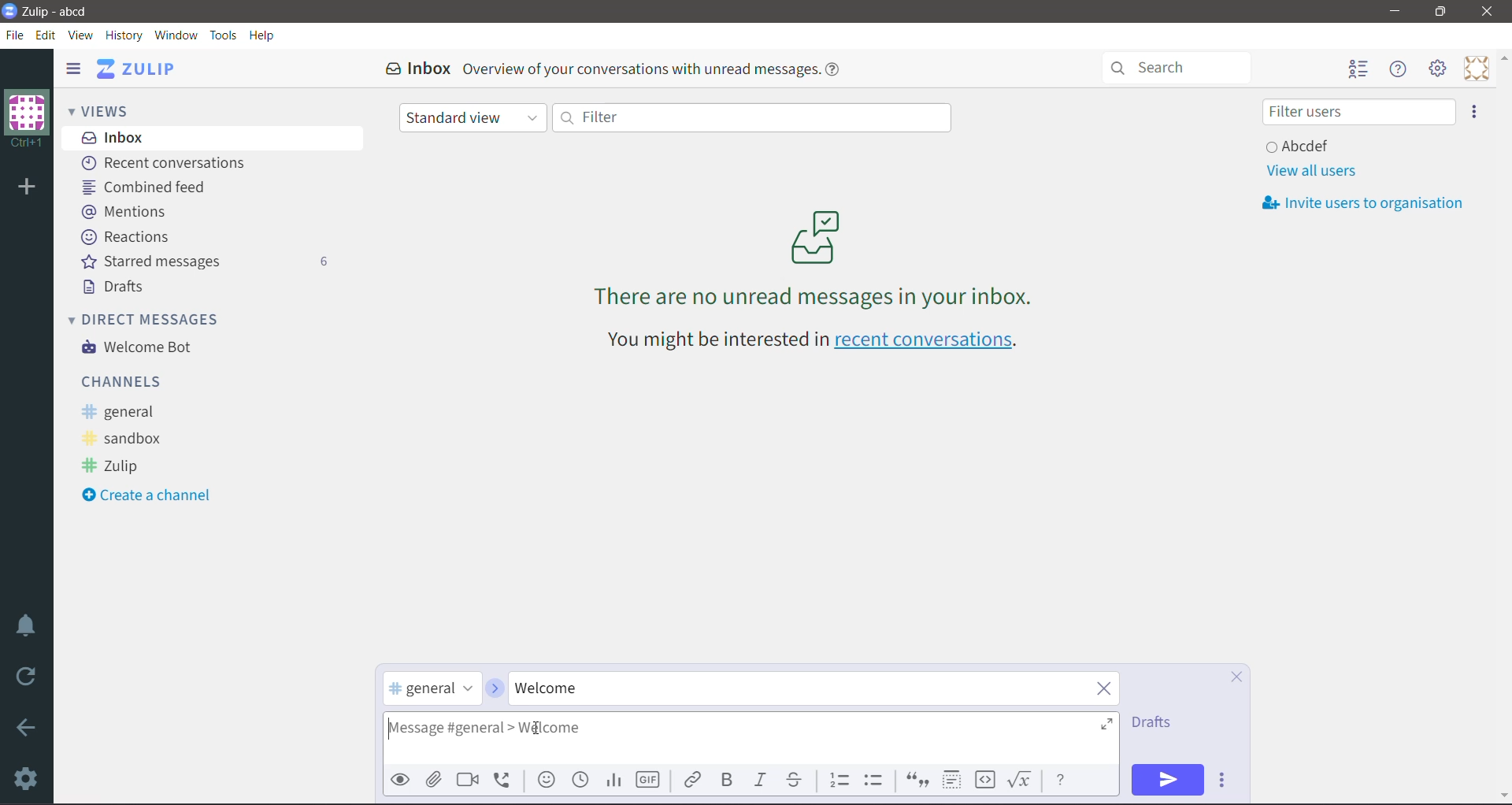  I want to click on Hide user list, so click(1357, 70).